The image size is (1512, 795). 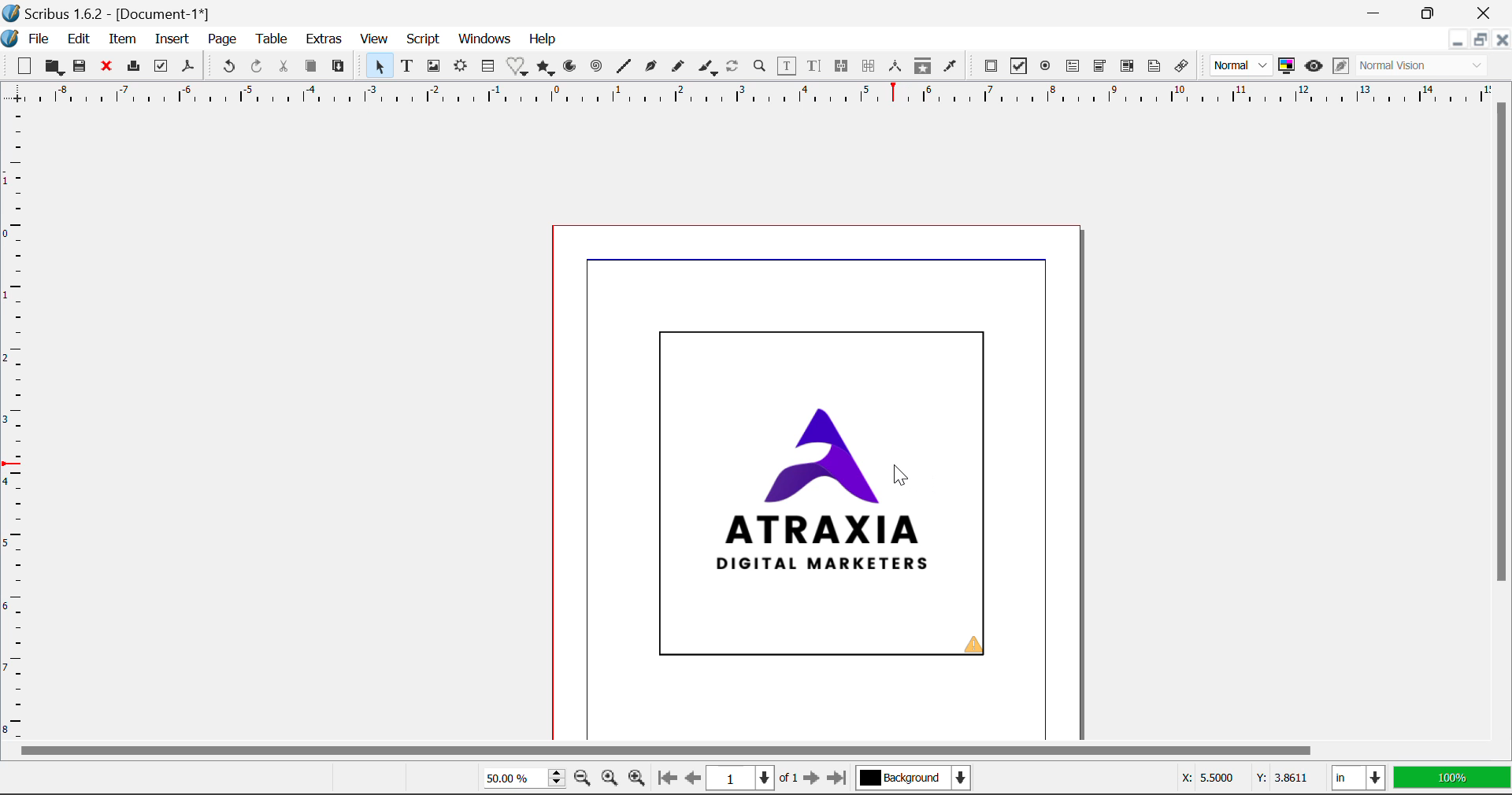 What do you see at coordinates (733, 67) in the screenshot?
I see `Refresh` at bounding box center [733, 67].